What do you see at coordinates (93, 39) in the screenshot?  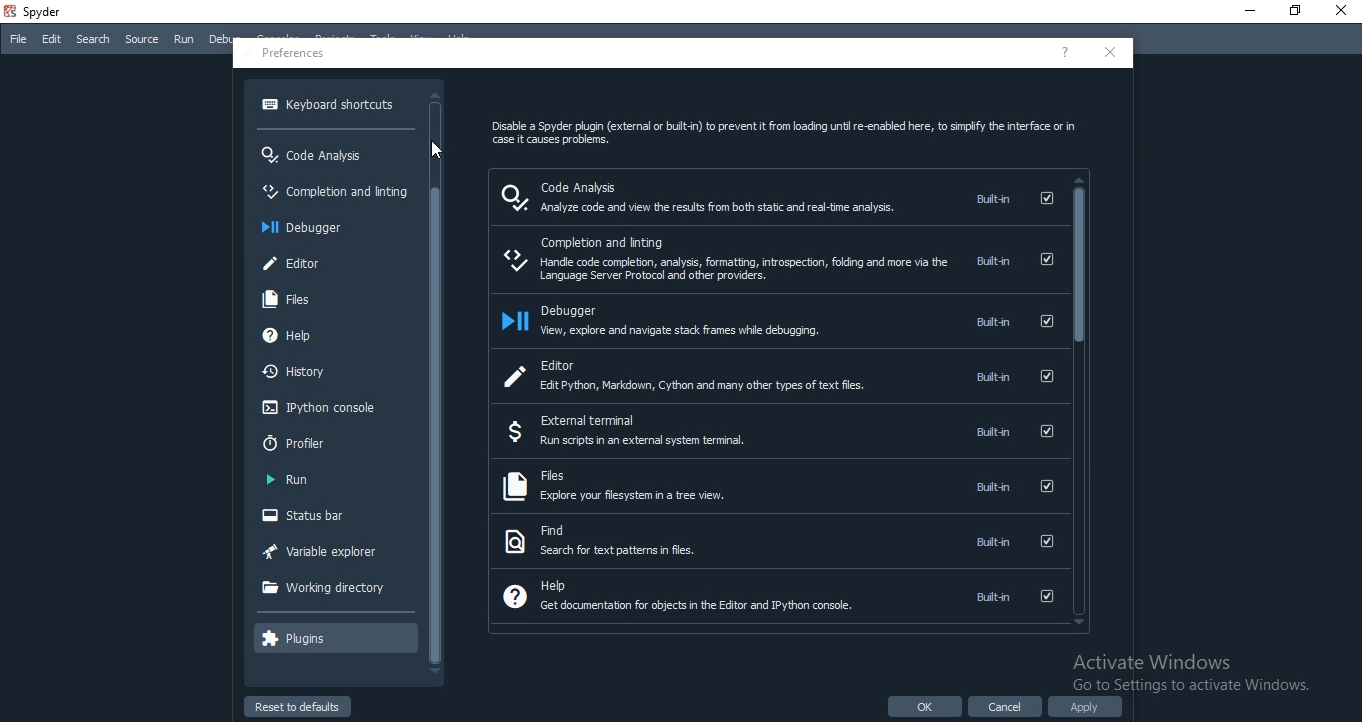 I see `Search` at bounding box center [93, 39].